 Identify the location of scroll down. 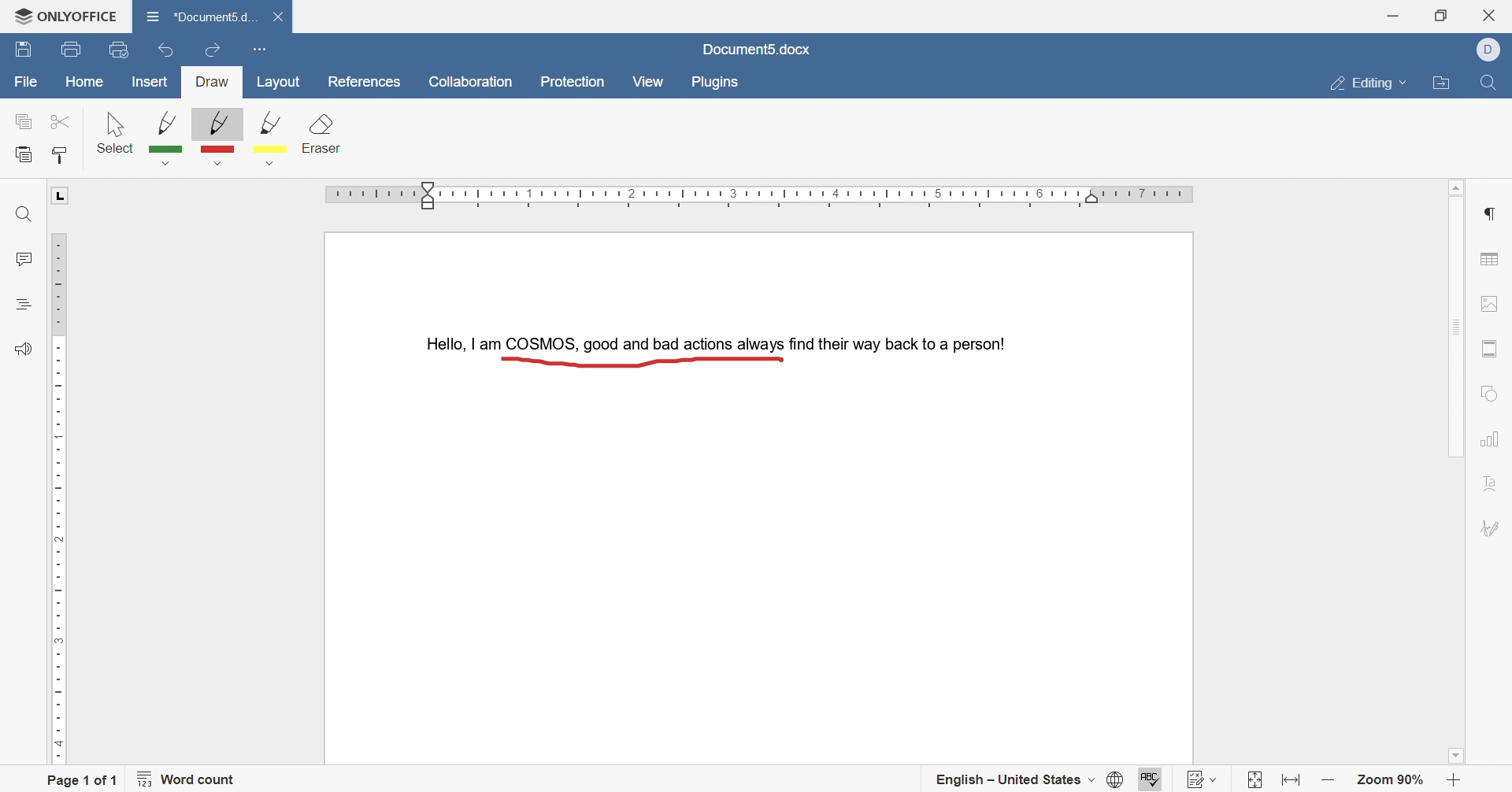
(1461, 758).